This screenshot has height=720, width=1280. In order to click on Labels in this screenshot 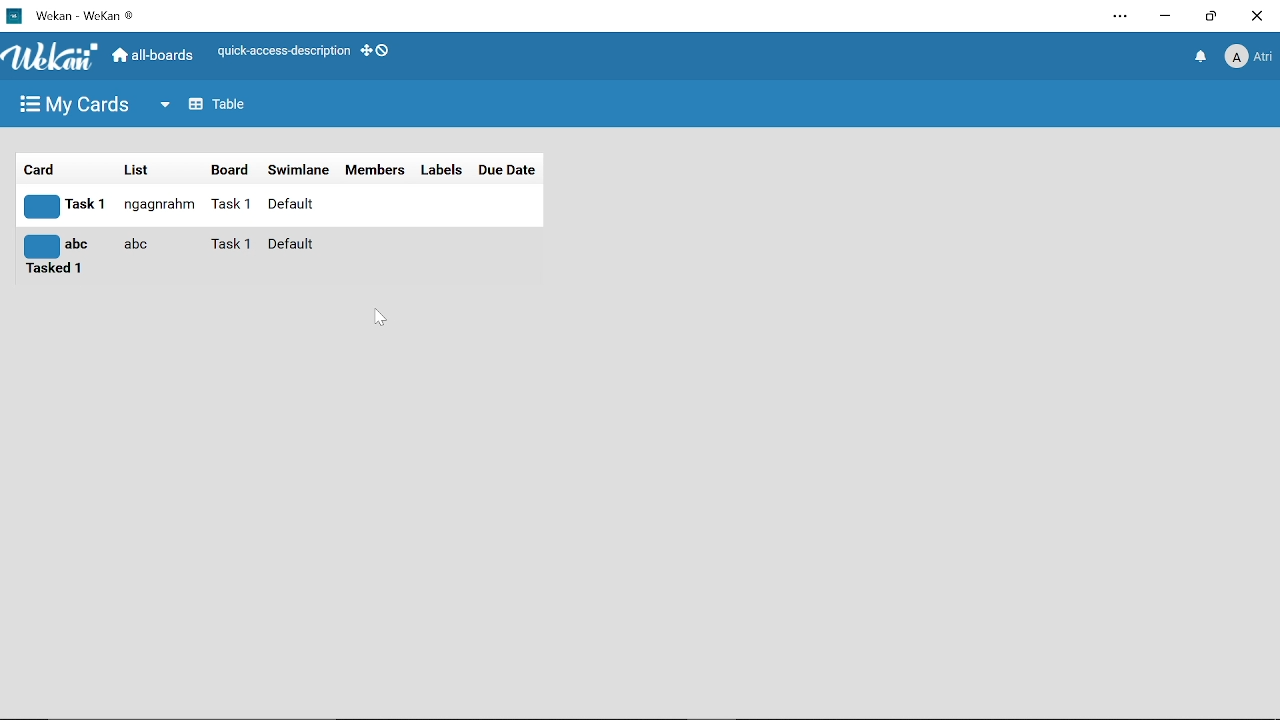, I will do `click(444, 171)`.